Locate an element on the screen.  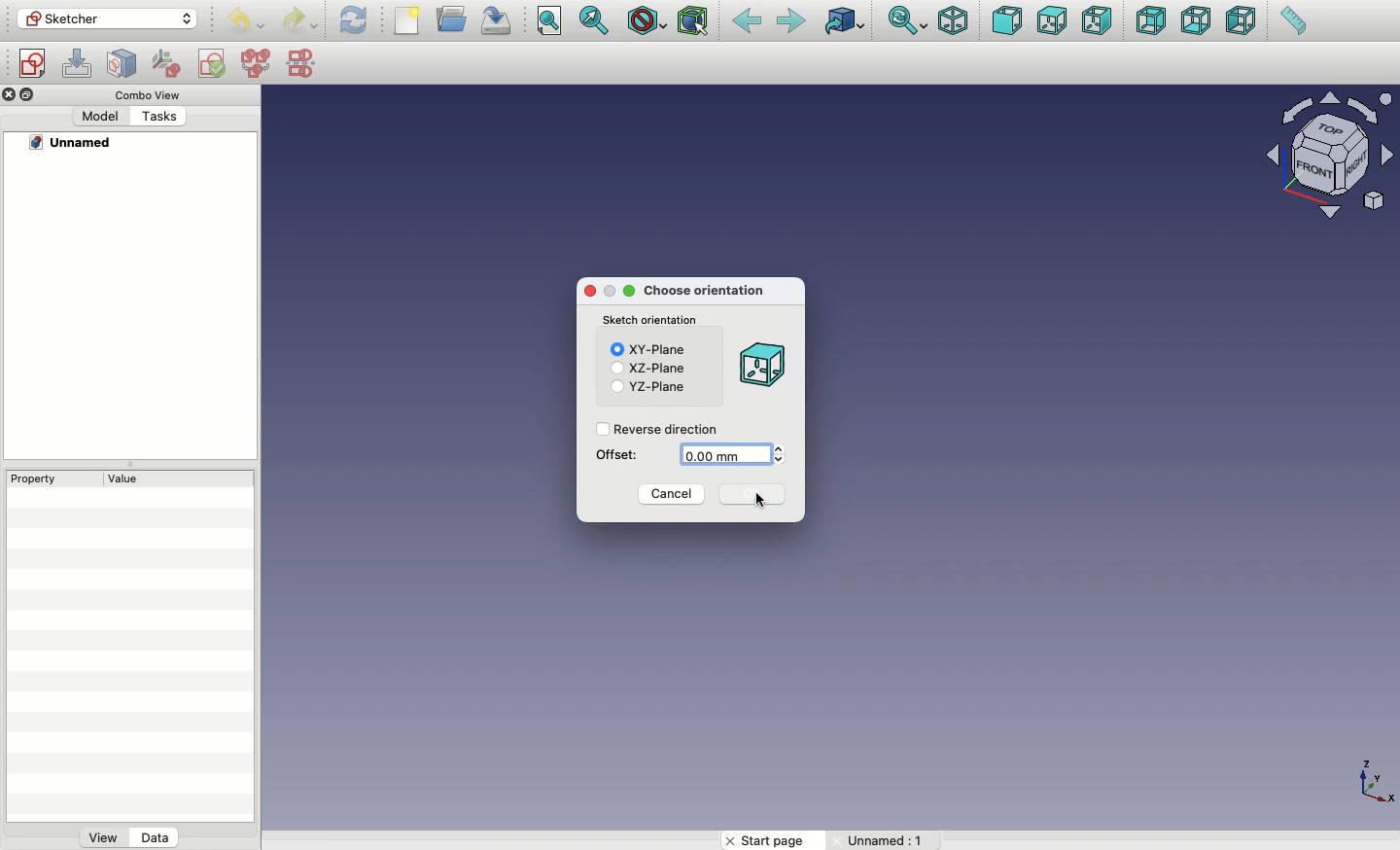
 is located at coordinates (1370, 780).